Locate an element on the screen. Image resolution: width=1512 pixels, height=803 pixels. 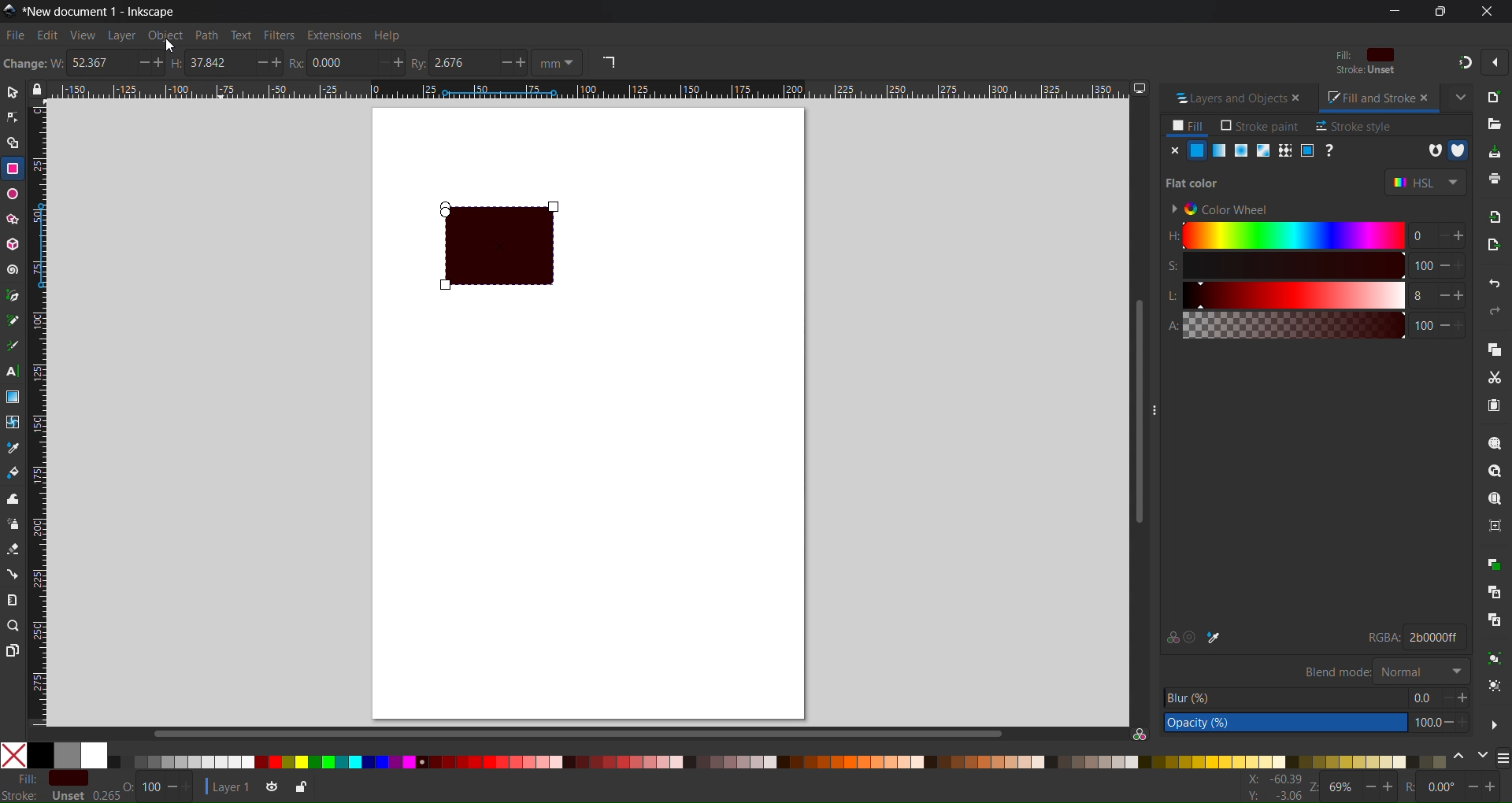
Paste is located at coordinates (1494, 407).